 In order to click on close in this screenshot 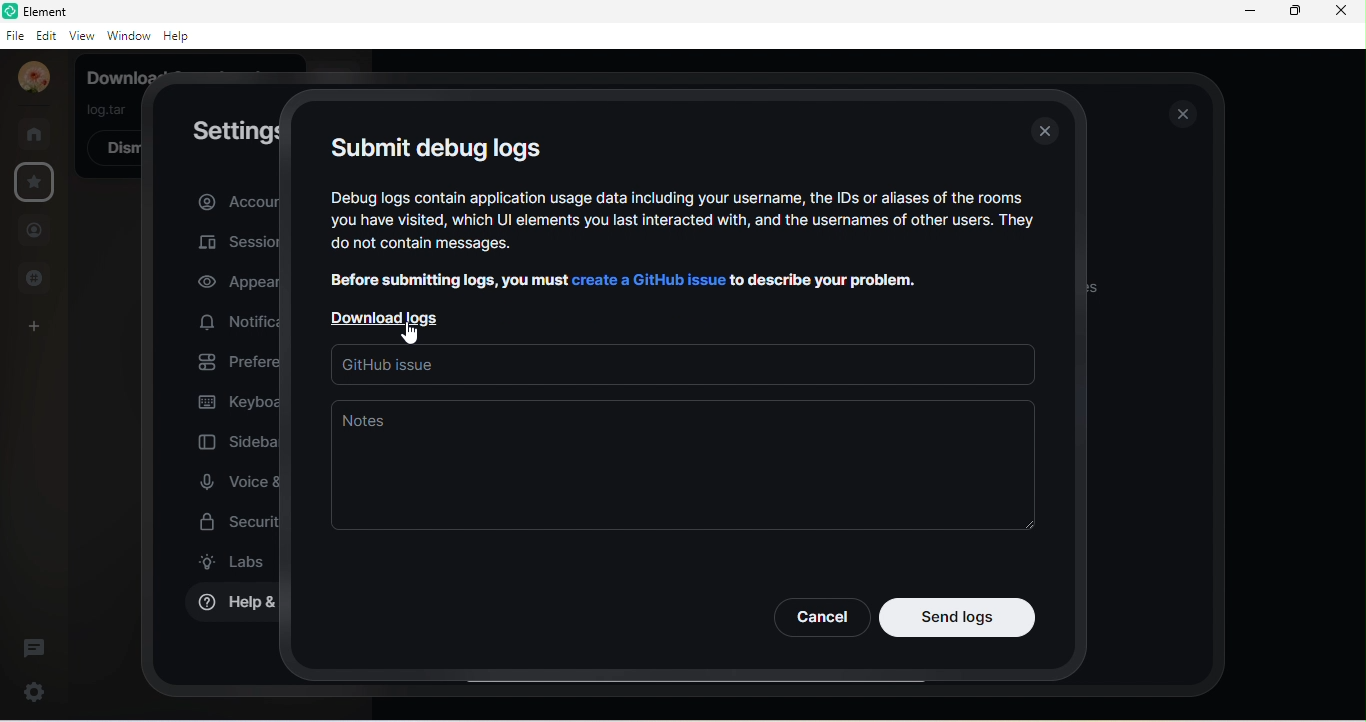, I will do `click(1048, 133)`.